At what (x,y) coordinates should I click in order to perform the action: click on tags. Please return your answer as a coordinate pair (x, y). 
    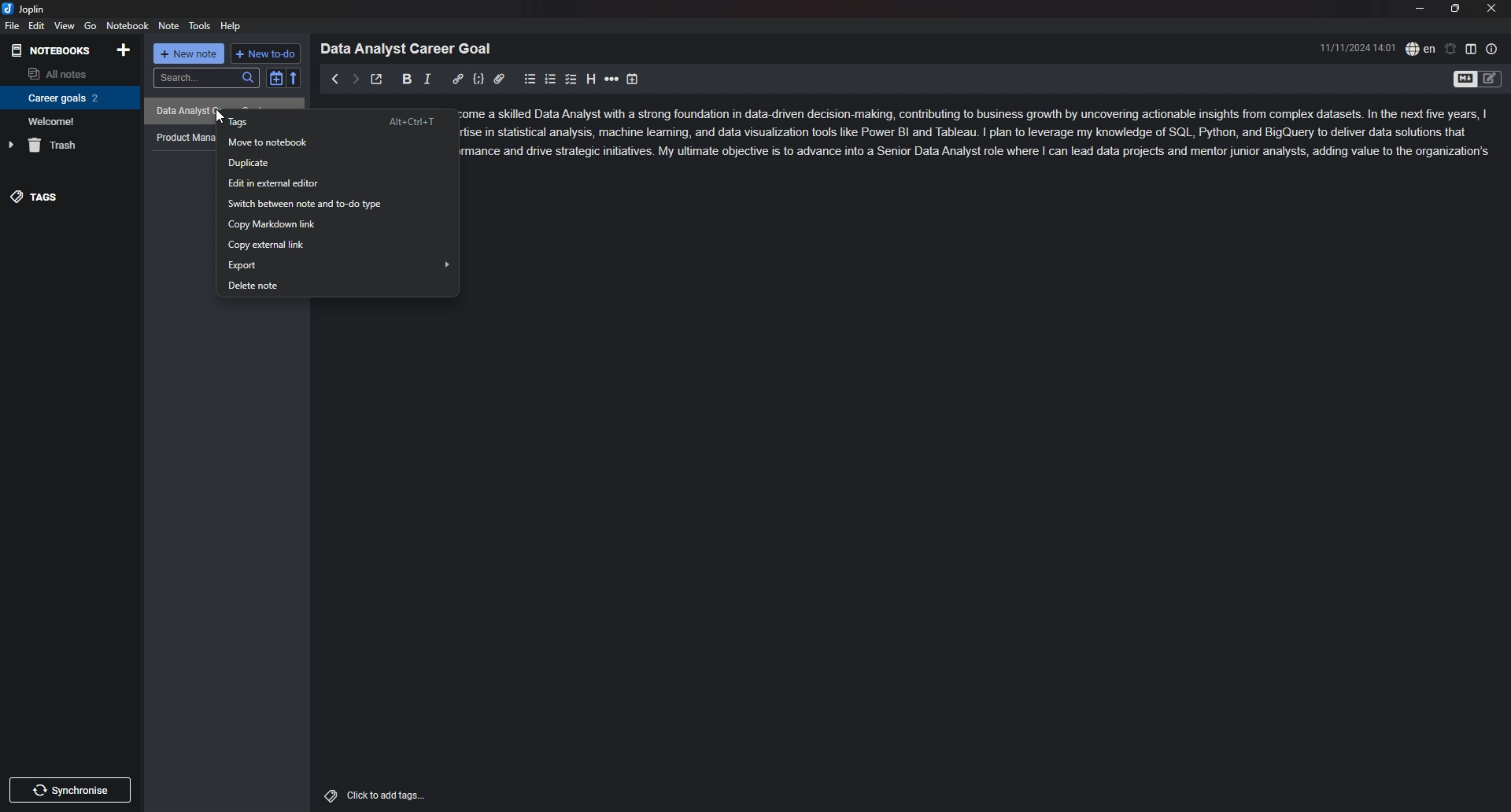
    Looking at the image, I should click on (335, 121).